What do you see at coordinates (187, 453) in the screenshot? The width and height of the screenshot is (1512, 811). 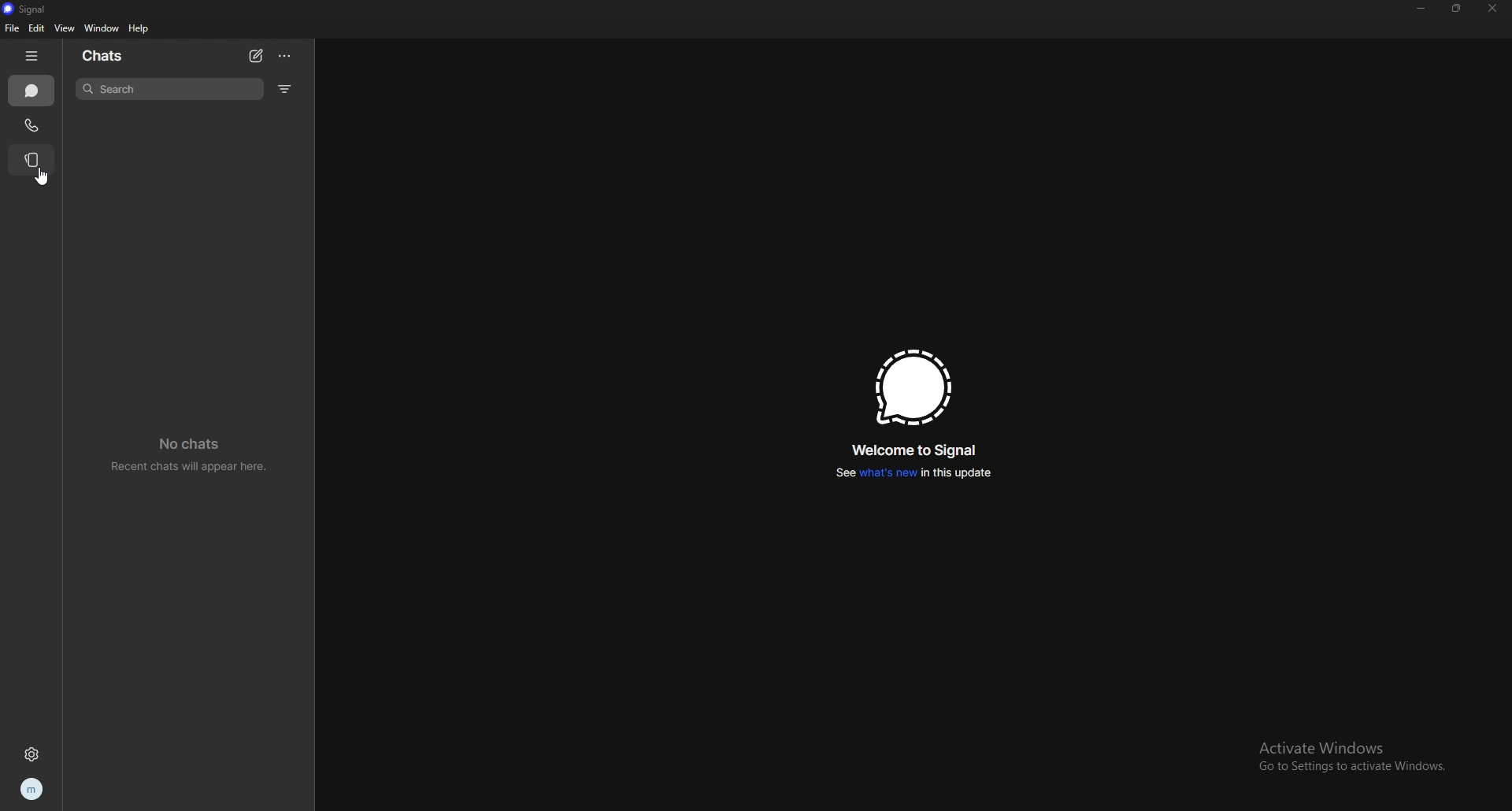 I see `no chats recent chats will appear here` at bounding box center [187, 453].